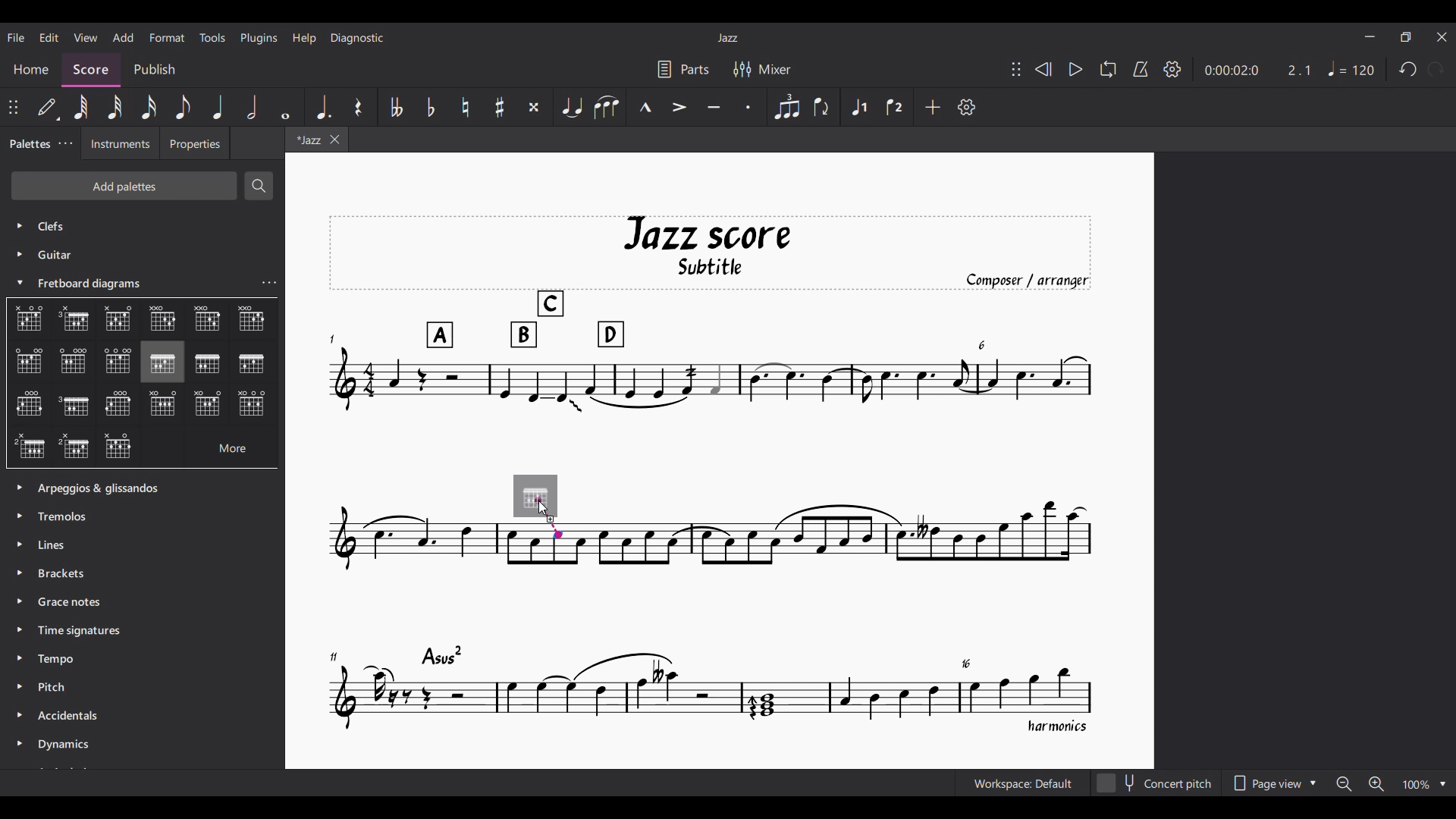 The width and height of the screenshot is (1456, 819). Describe the element at coordinates (161, 318) in the screenshot. I see `Chart4` at that location.